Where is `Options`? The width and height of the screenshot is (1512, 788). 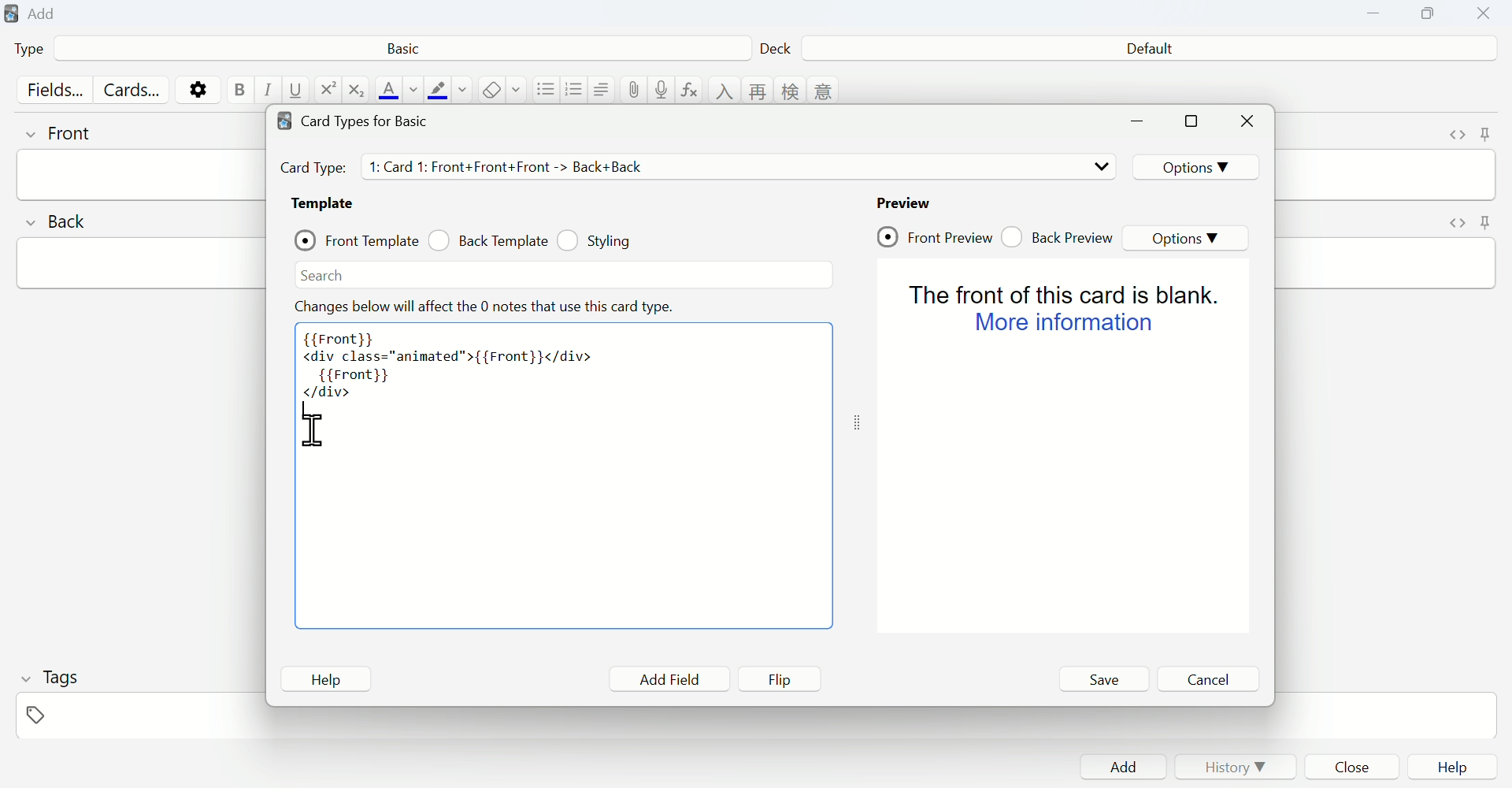 Options is located at coordinates (1198, 167).